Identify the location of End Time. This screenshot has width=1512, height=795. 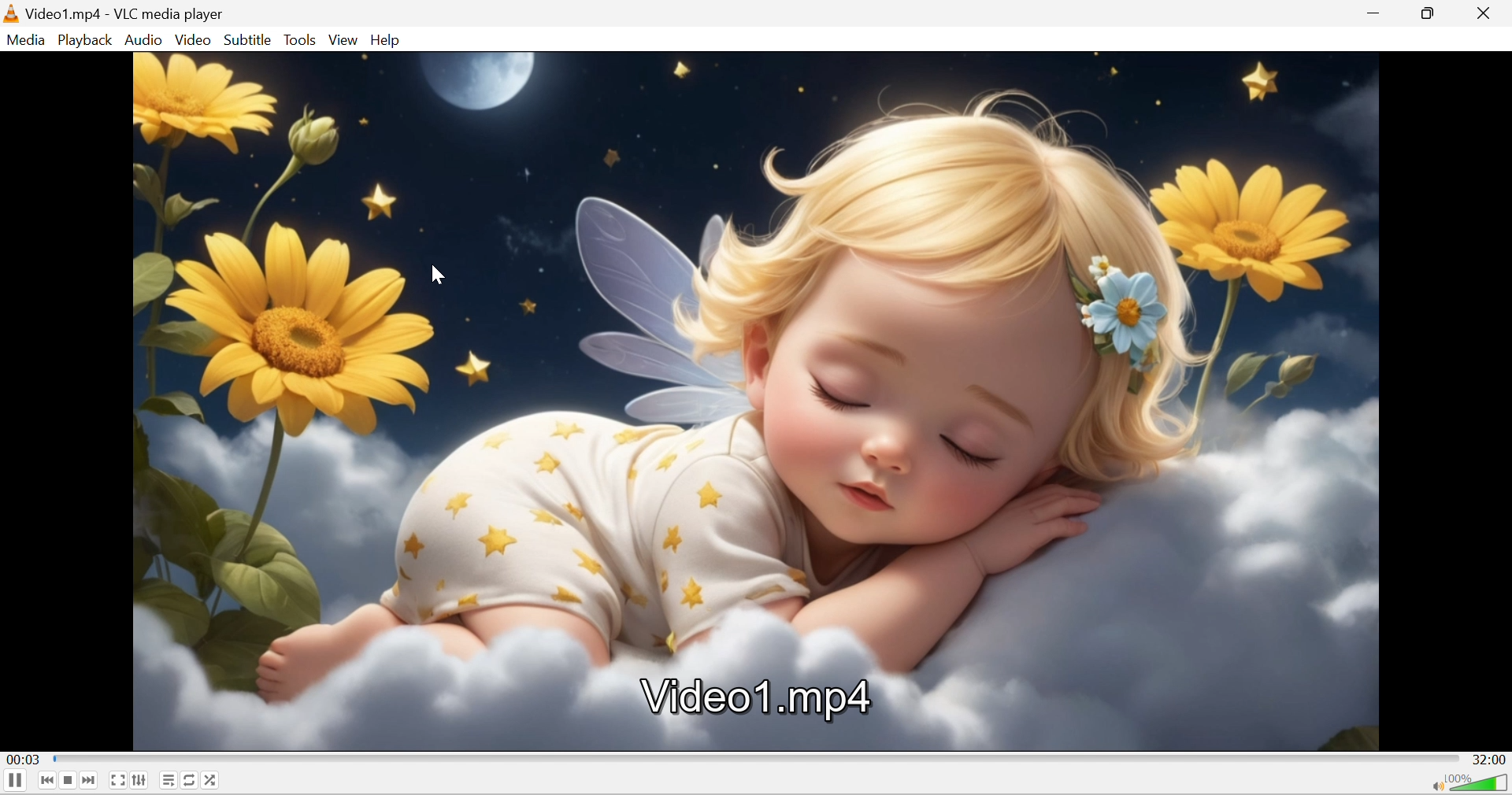
(1489, 760).